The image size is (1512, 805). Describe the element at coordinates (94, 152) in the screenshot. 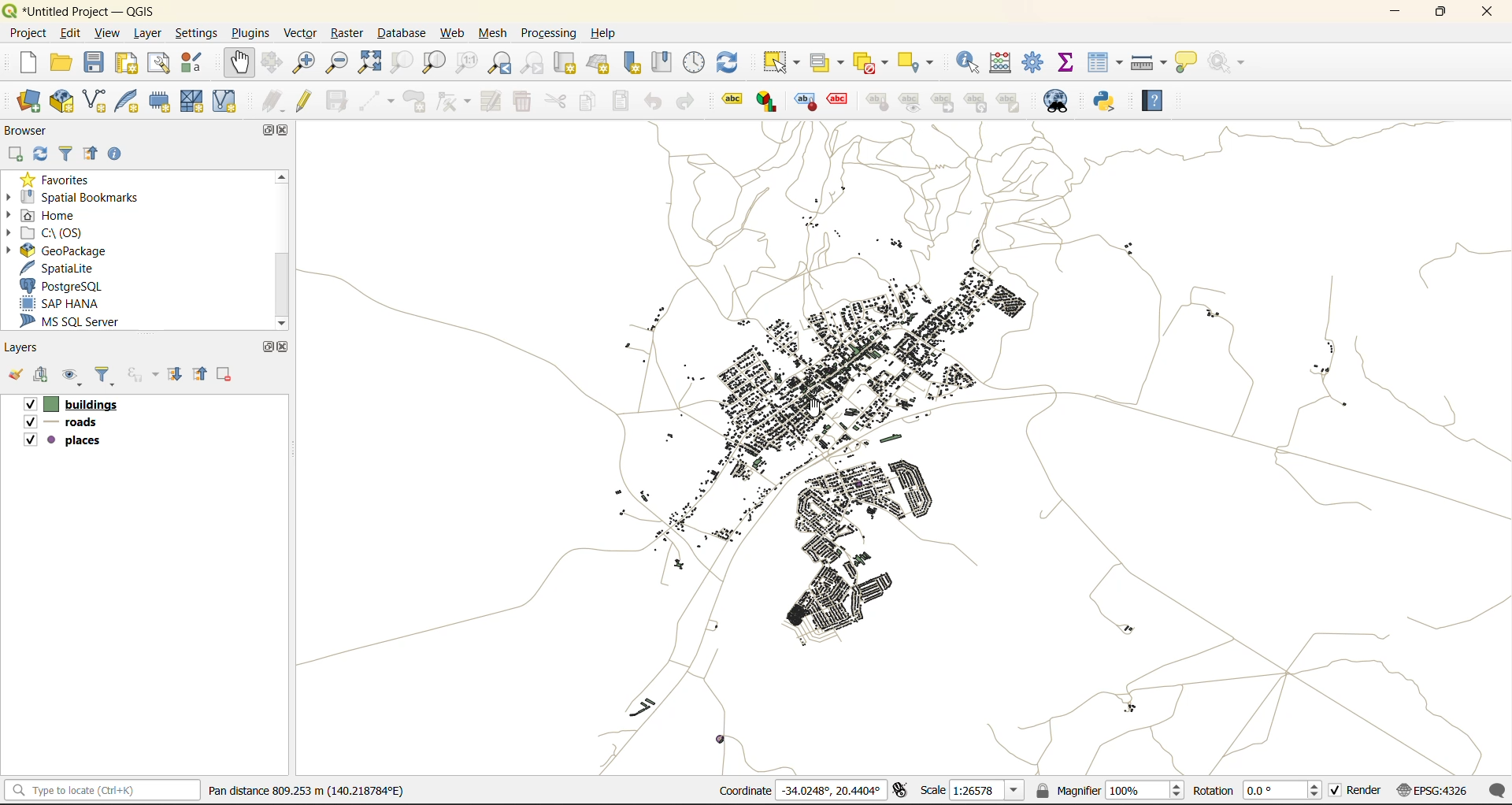

I see `collapse all` at that location.